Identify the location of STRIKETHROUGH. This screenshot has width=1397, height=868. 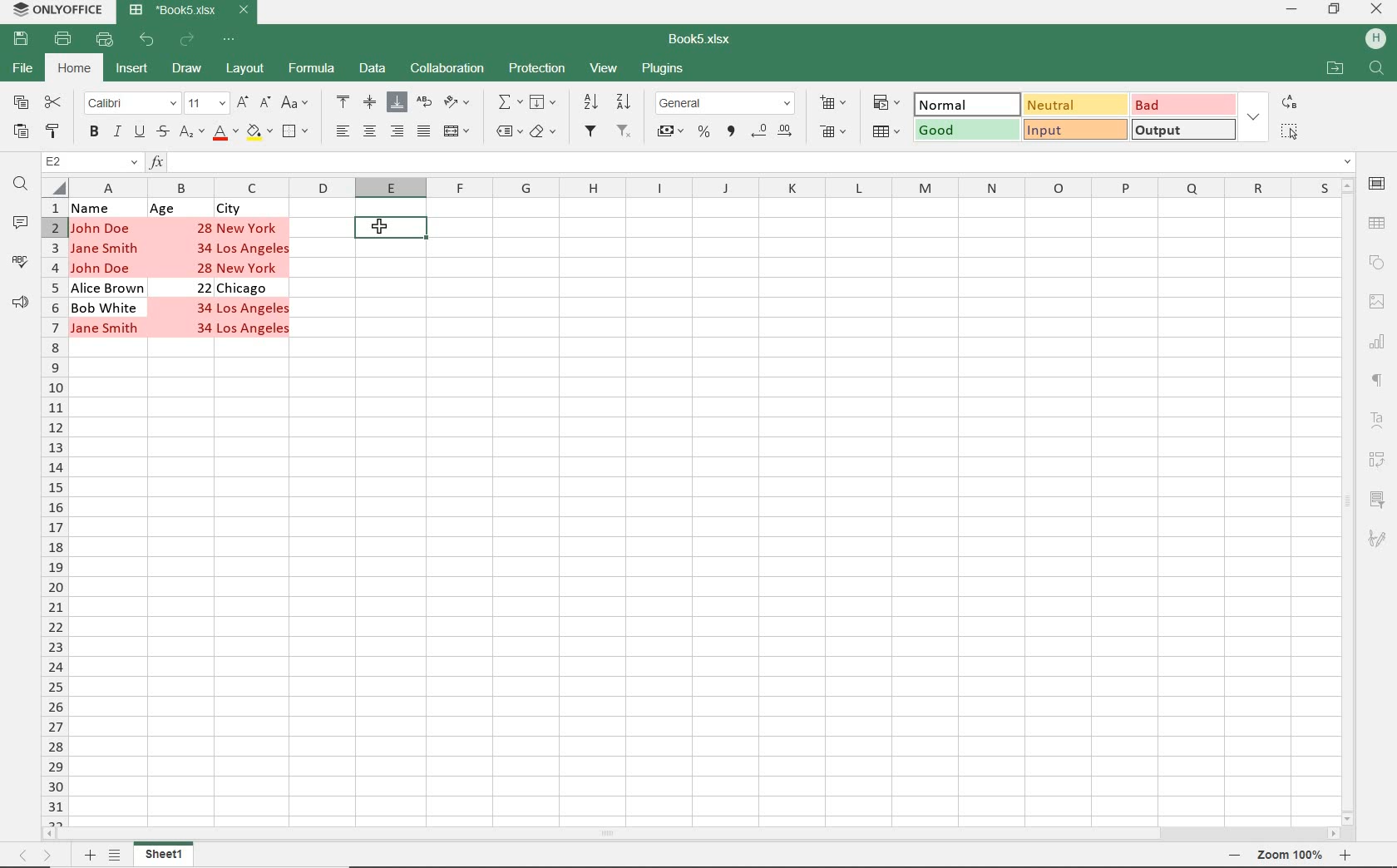
(161, 133).